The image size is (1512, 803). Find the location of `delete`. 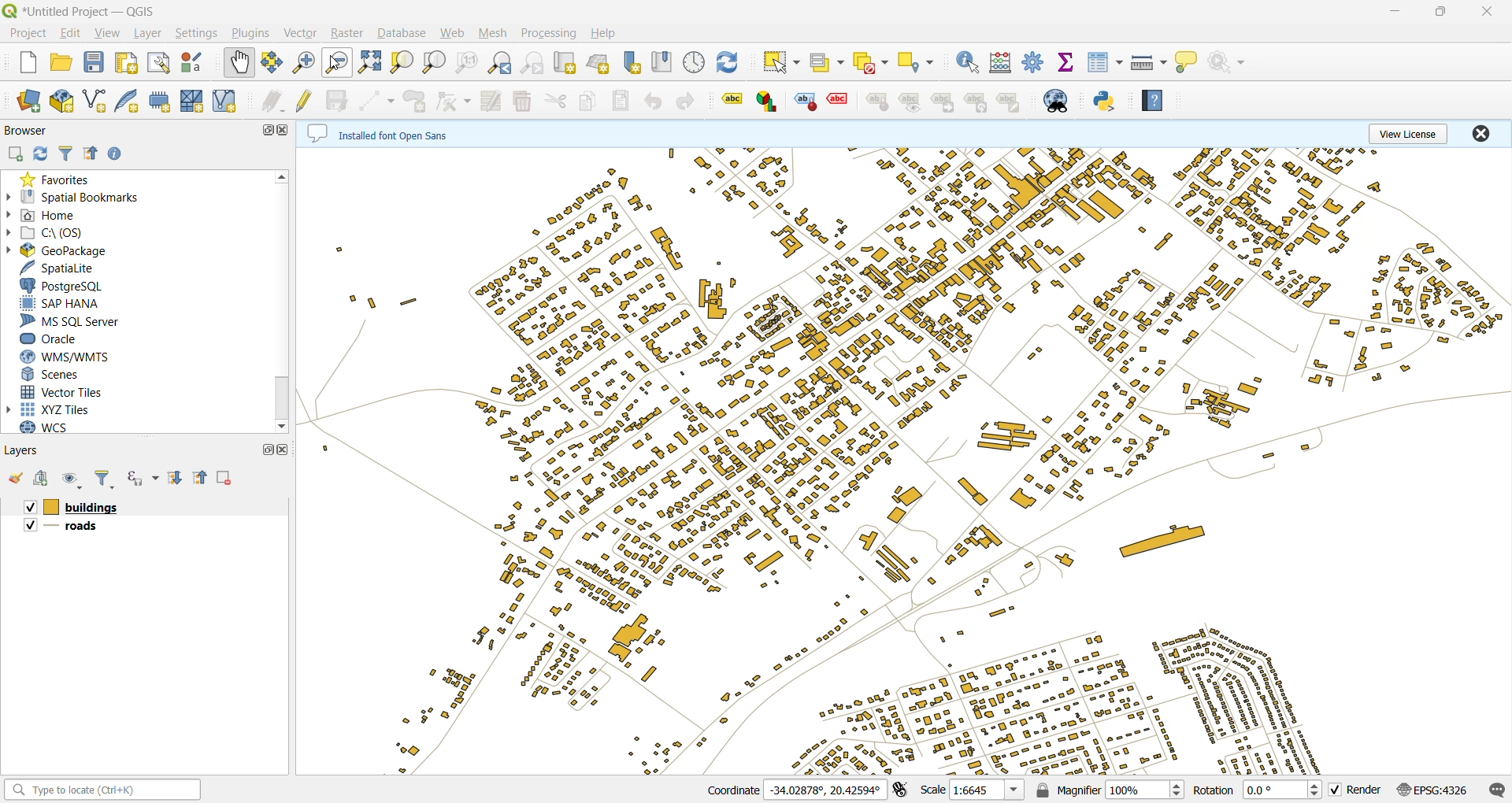

delete is located at coordinates (524, 100).